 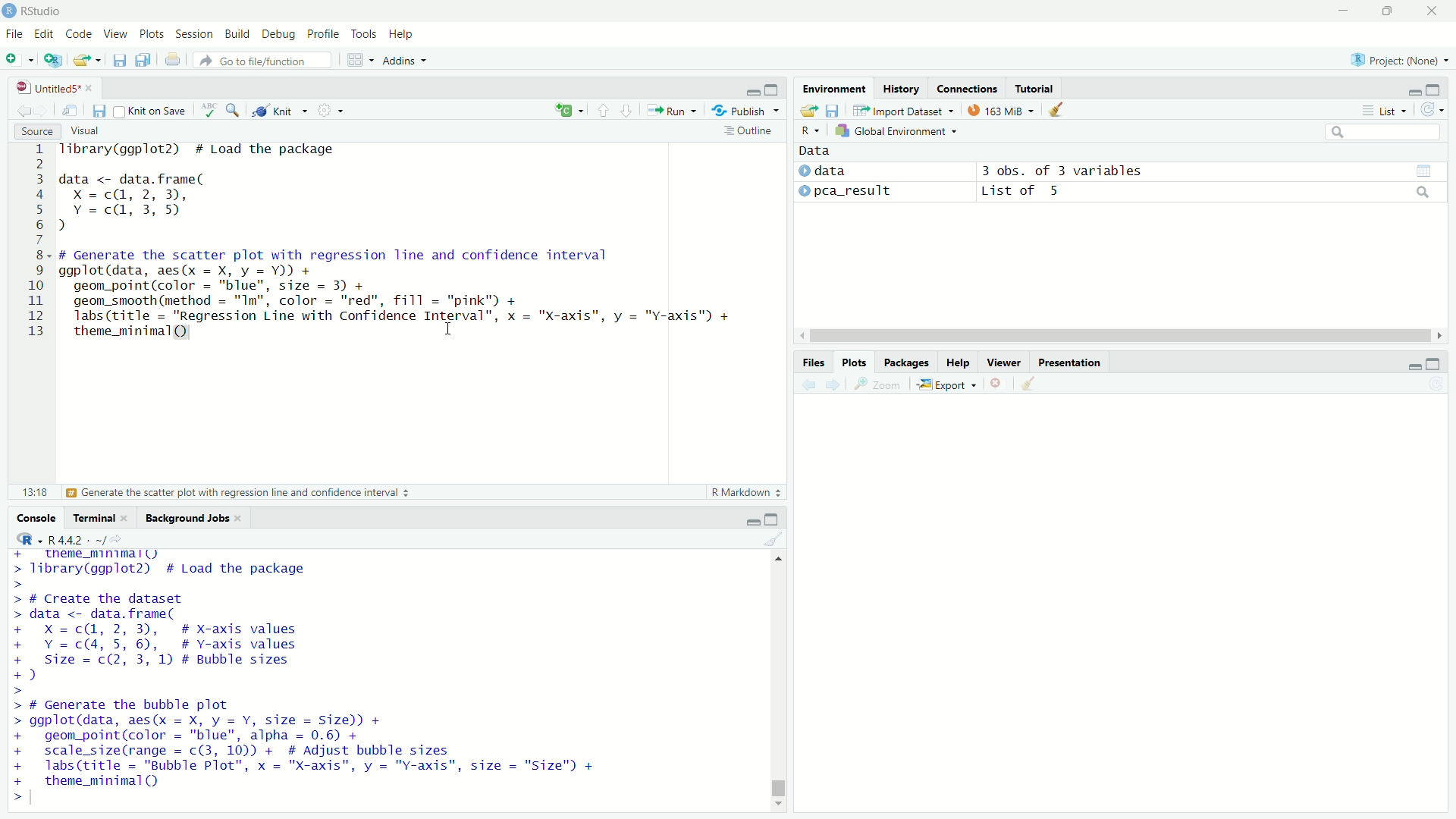 I want to click on Knit on Save, so click(x=151, y=110).